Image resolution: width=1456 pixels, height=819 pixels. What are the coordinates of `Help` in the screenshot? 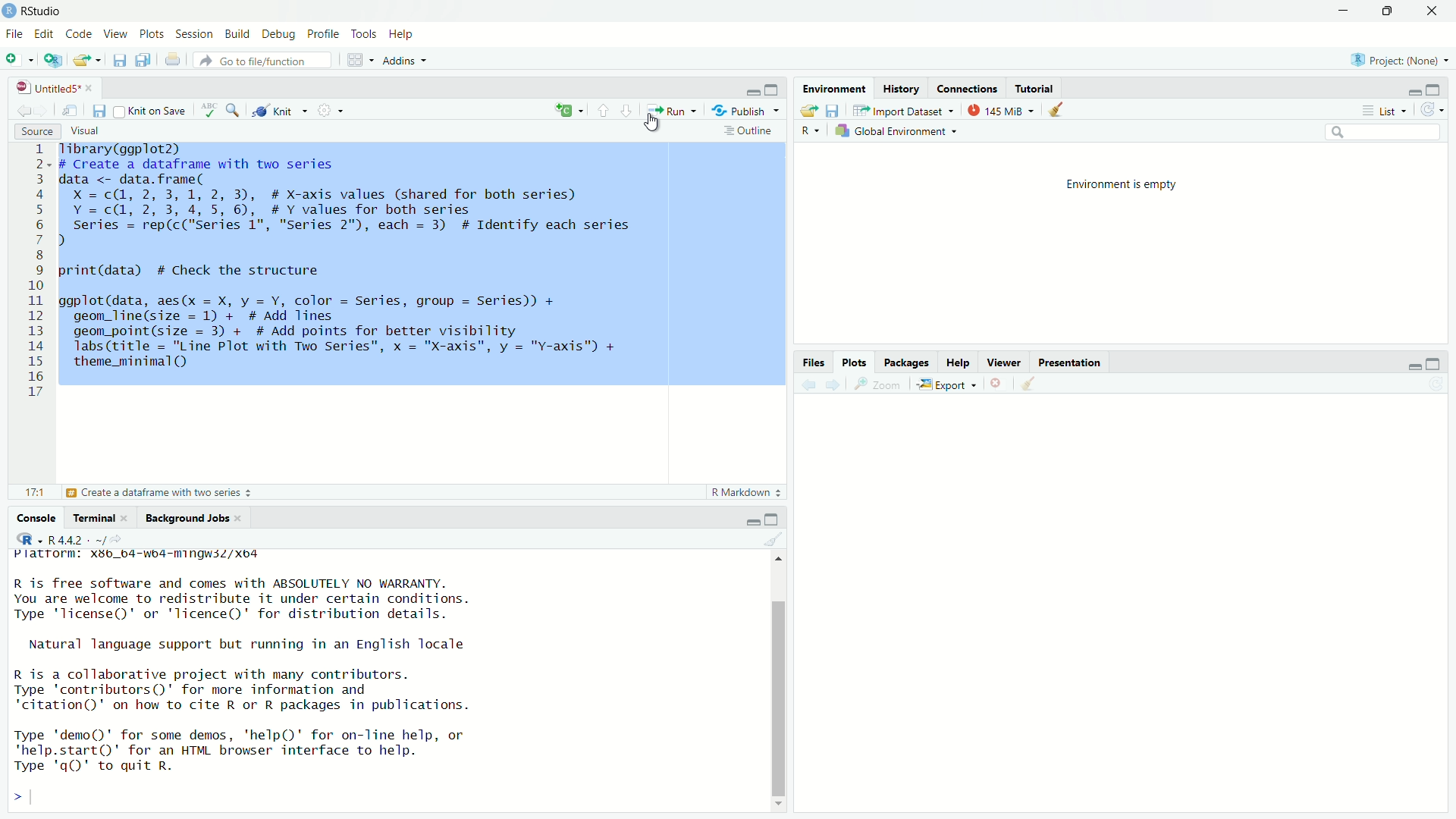 It's located at (956, 362).